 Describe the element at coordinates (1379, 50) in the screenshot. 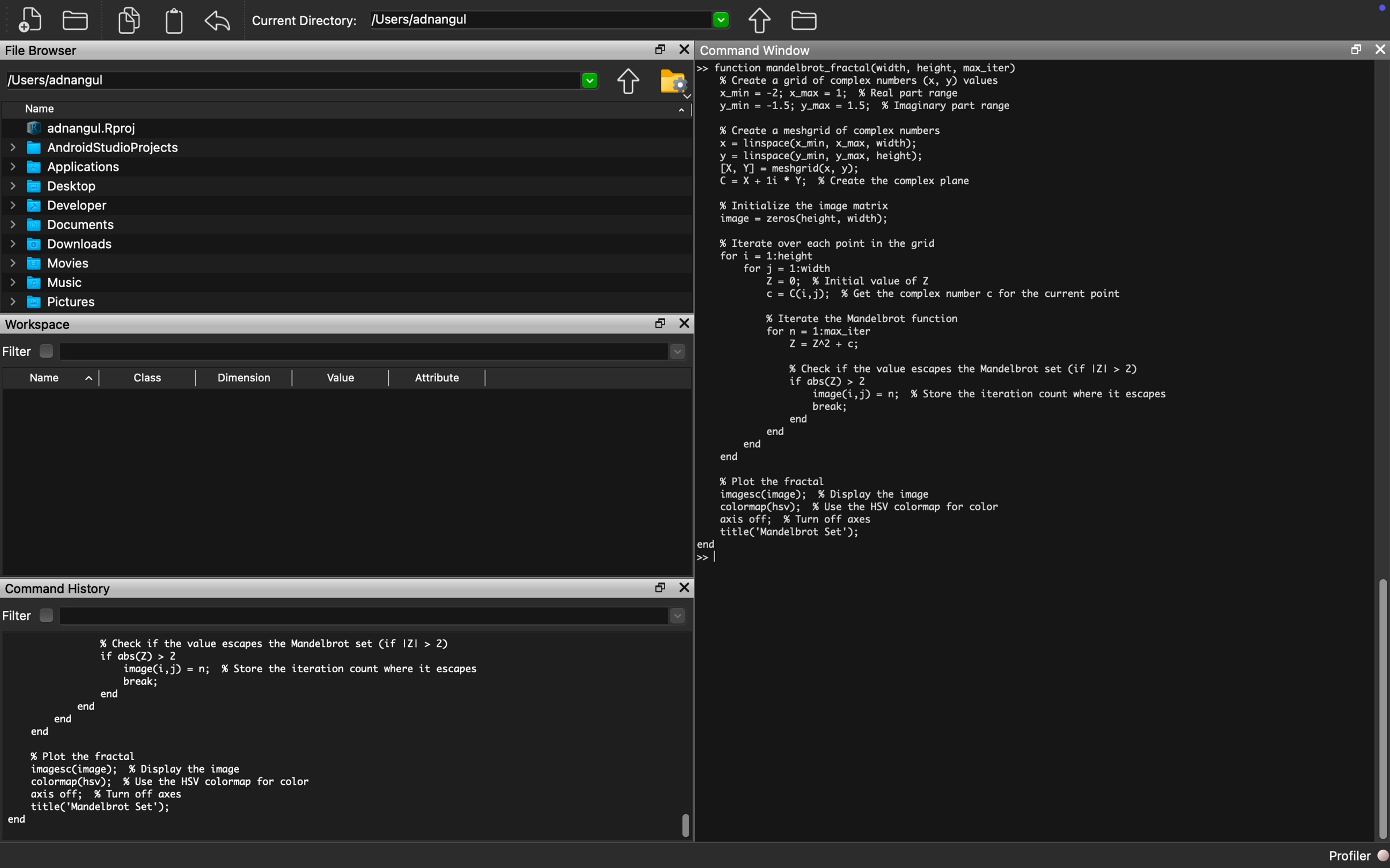

I see `Close ` at that location.